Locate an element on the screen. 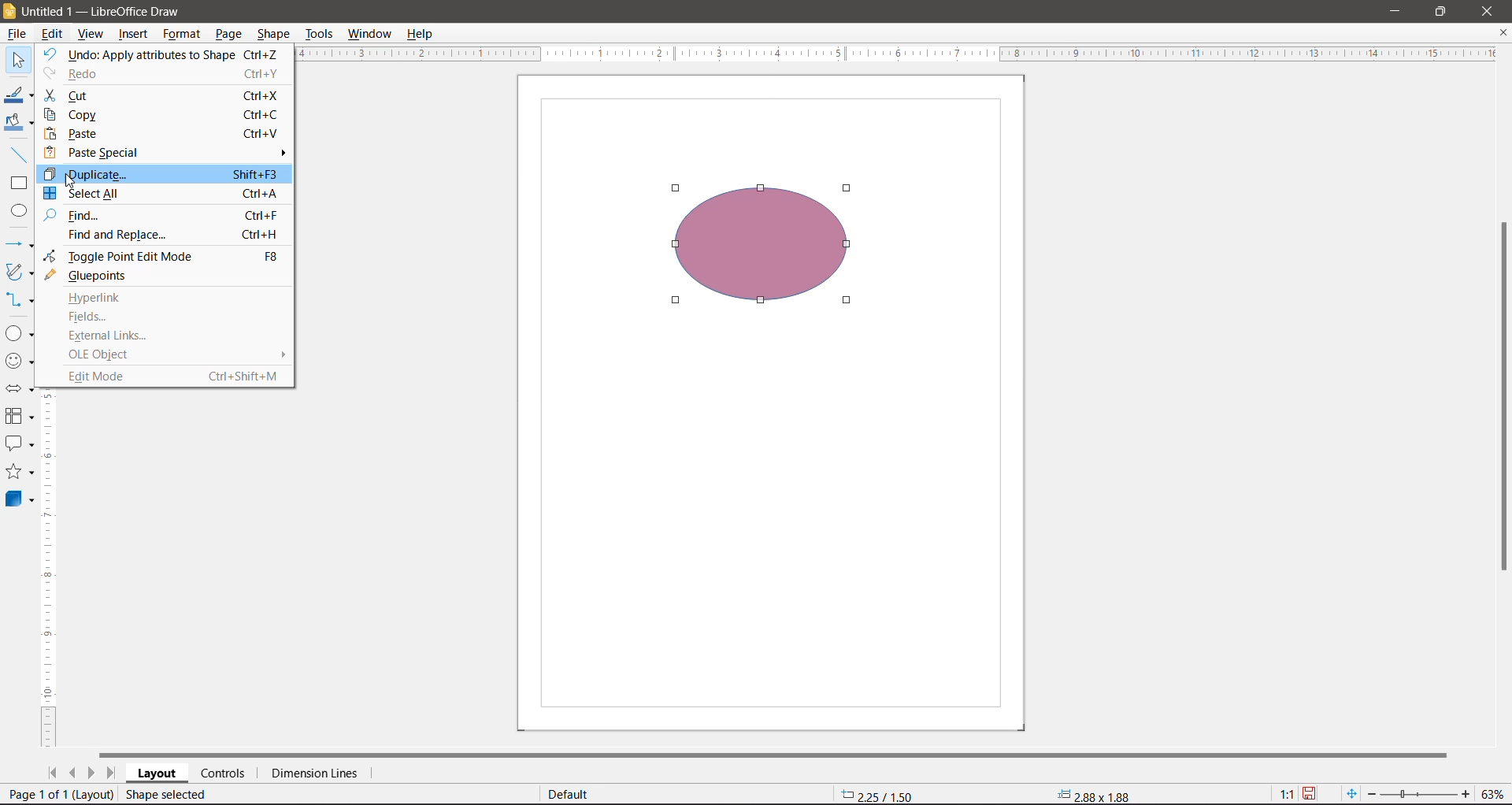 Image resolution: width=1512 pixels, height=805 pixels. Help is located at coordinates (424, 34).